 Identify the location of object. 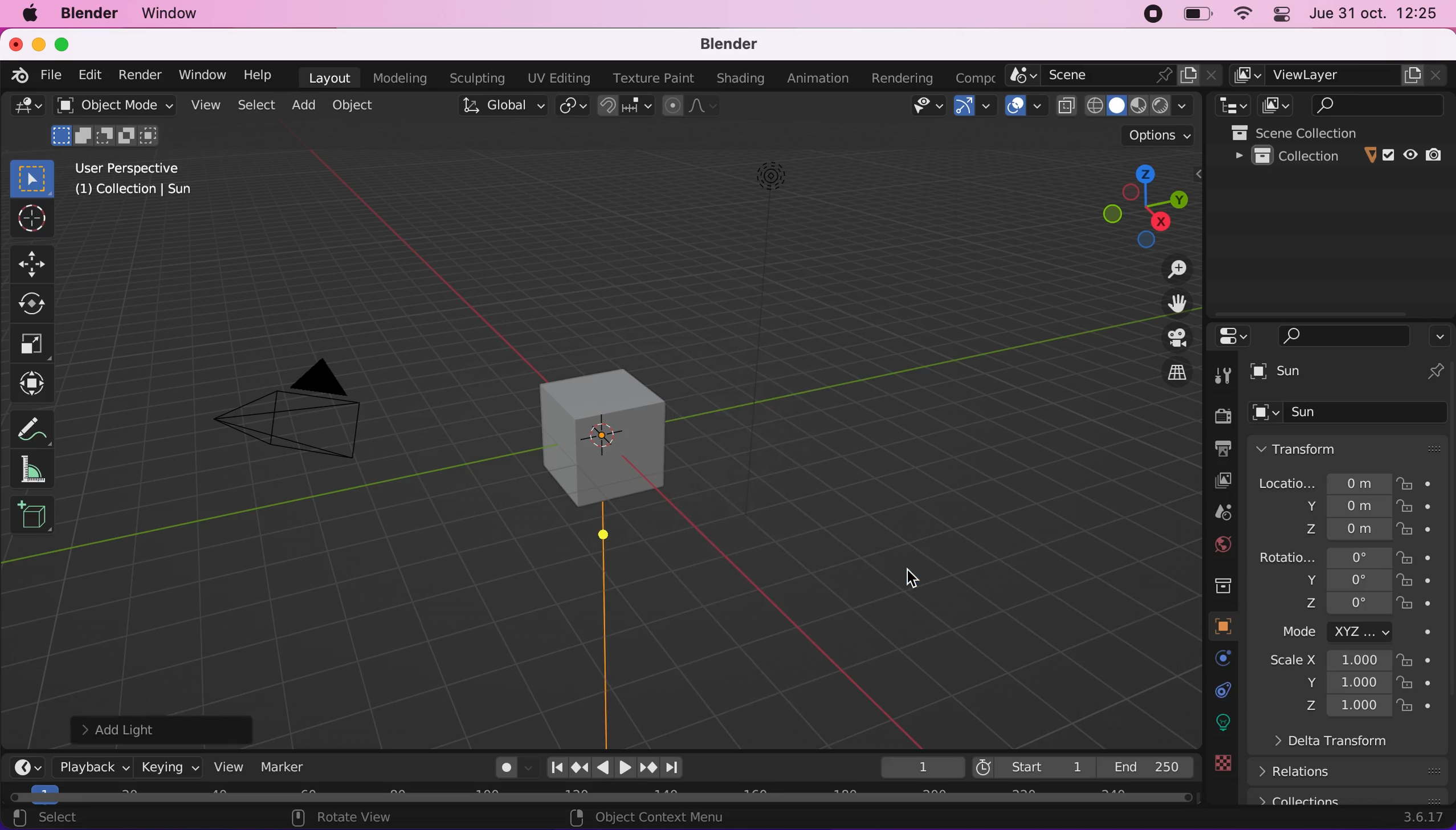
(353, 107).